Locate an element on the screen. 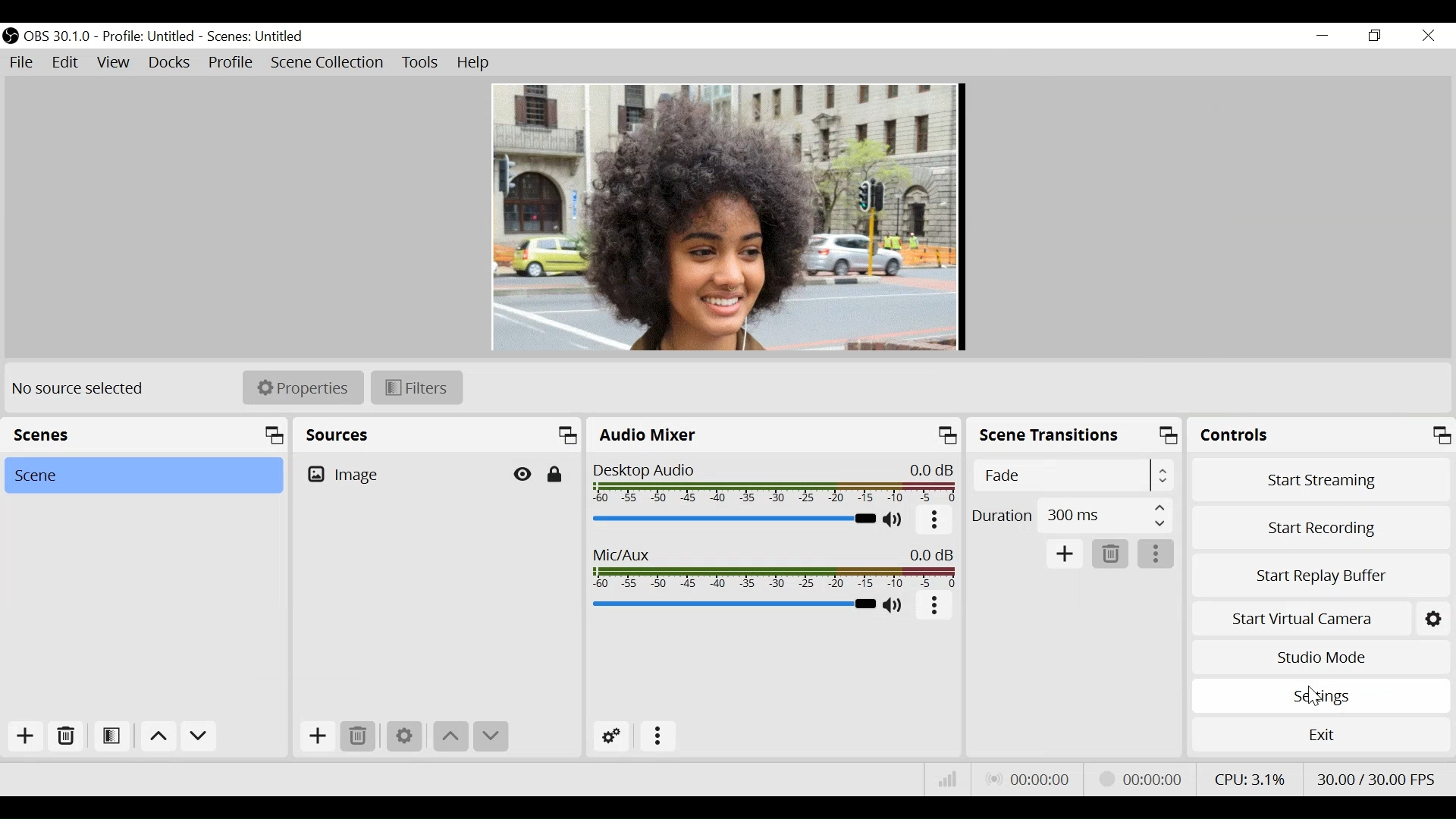 Image resolution: width=1456 pixels, height=819 pixels. Scenes Panel is located at coordinates (58, 435).